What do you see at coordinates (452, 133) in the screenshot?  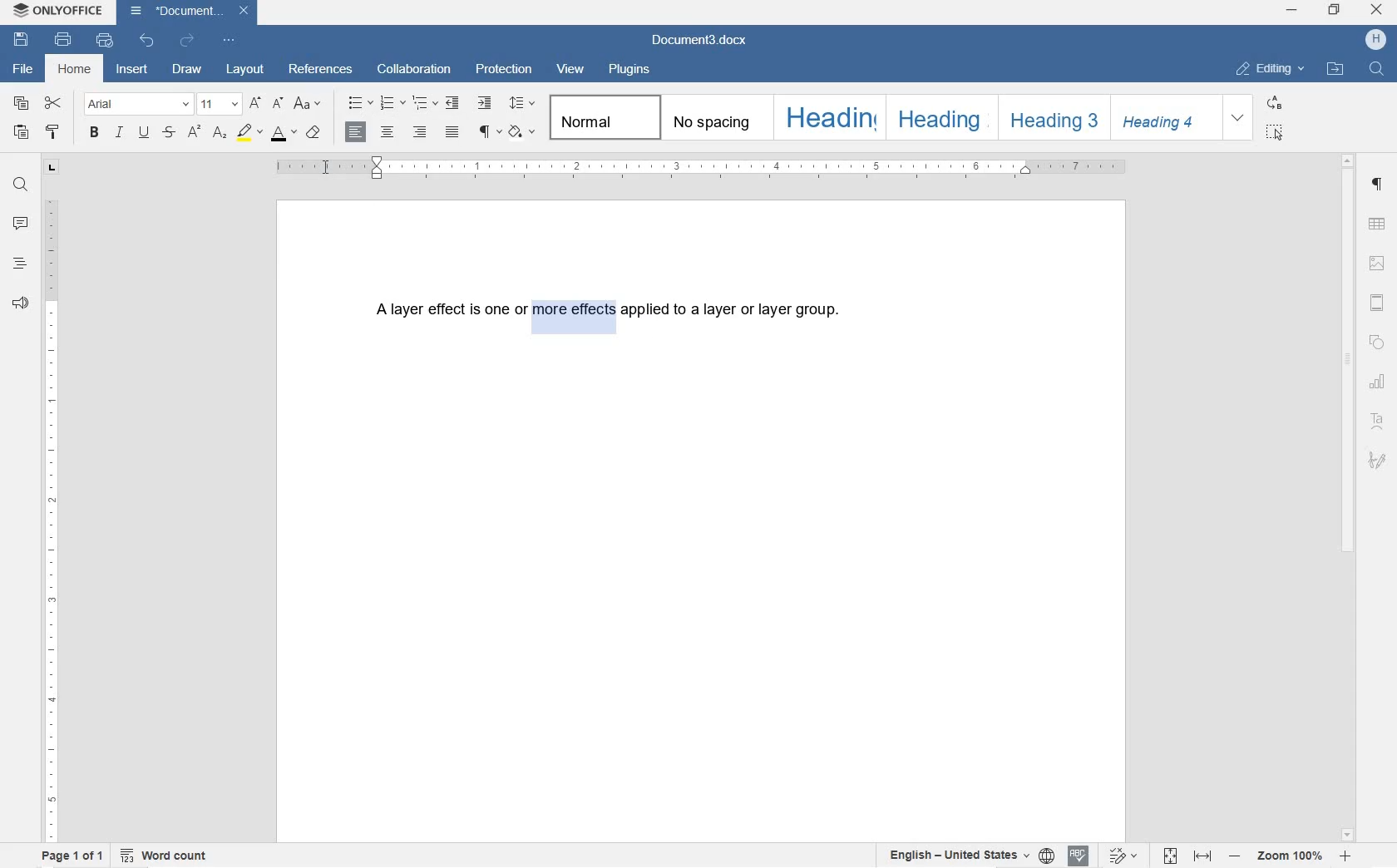 I see `JUSTIFIED` at bounding box center [452, 133].